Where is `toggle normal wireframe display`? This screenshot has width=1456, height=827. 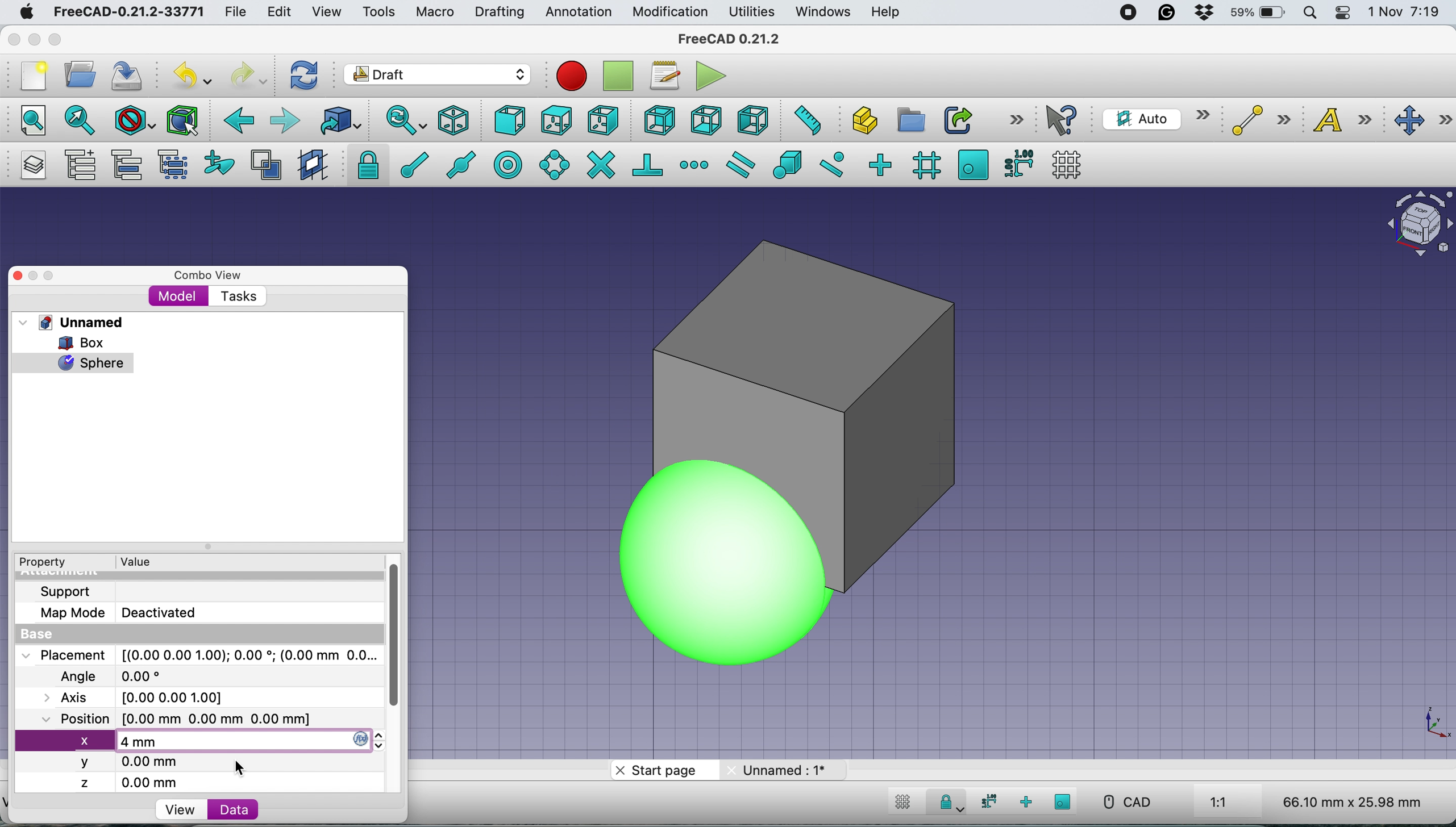 toggle normal wireframe display is located at coordinates (268, 165).